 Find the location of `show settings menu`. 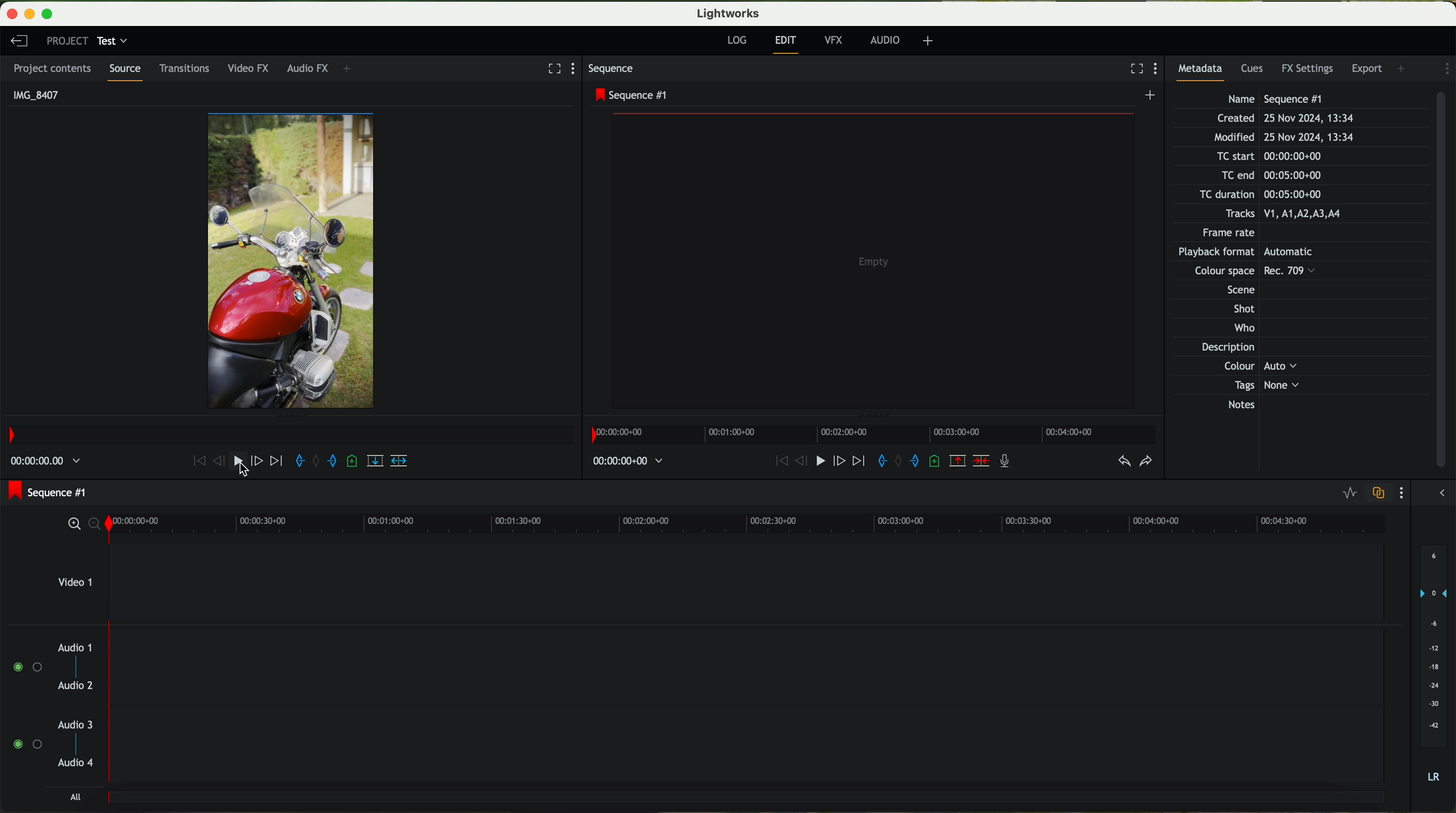

show settings menu is located at coordinates (1404, 493).